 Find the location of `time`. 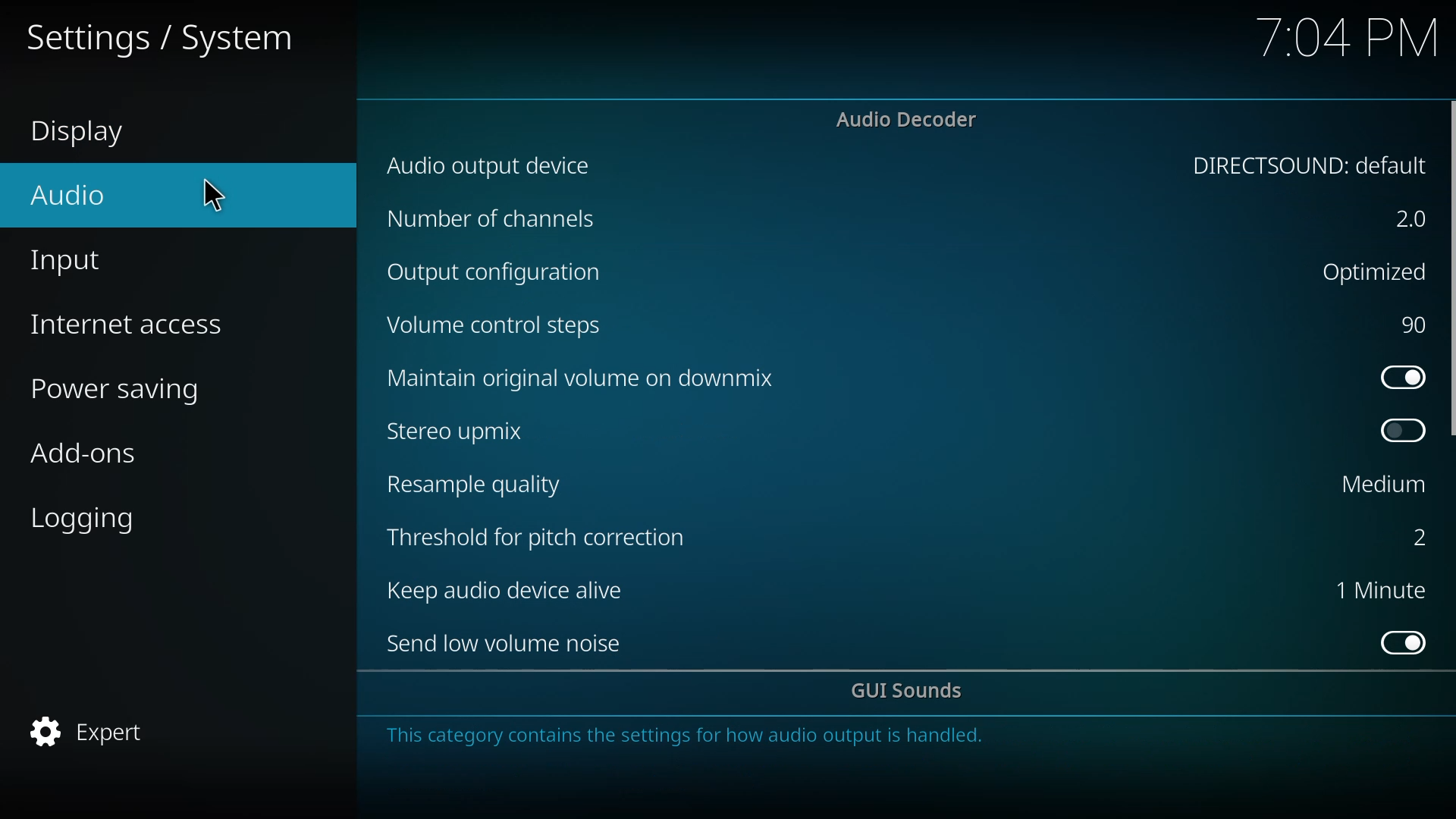

time is located at coordinates (1348, 37).